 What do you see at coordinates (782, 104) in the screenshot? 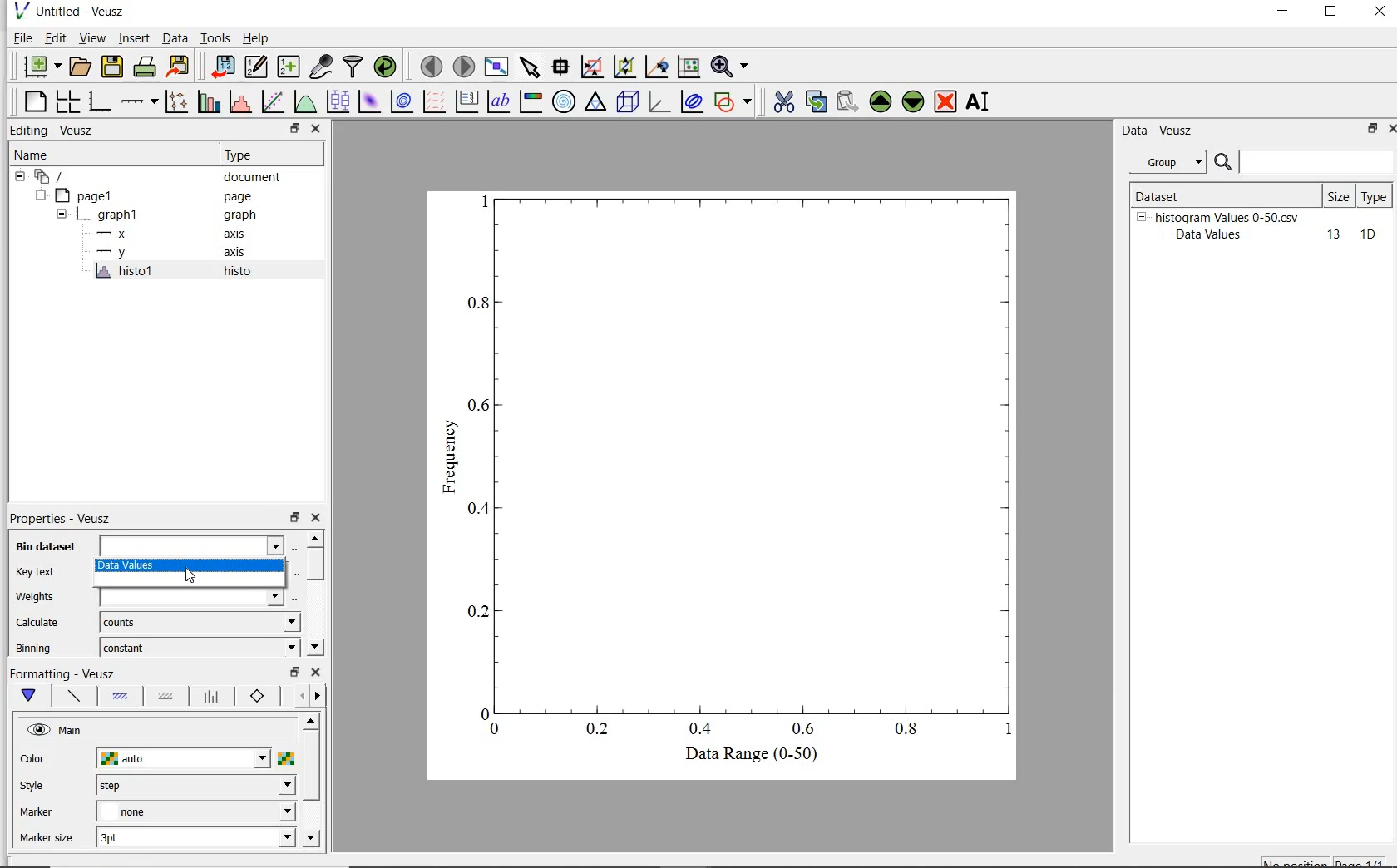
I see `cut the the selected widget` at bounding box center [782, 104].